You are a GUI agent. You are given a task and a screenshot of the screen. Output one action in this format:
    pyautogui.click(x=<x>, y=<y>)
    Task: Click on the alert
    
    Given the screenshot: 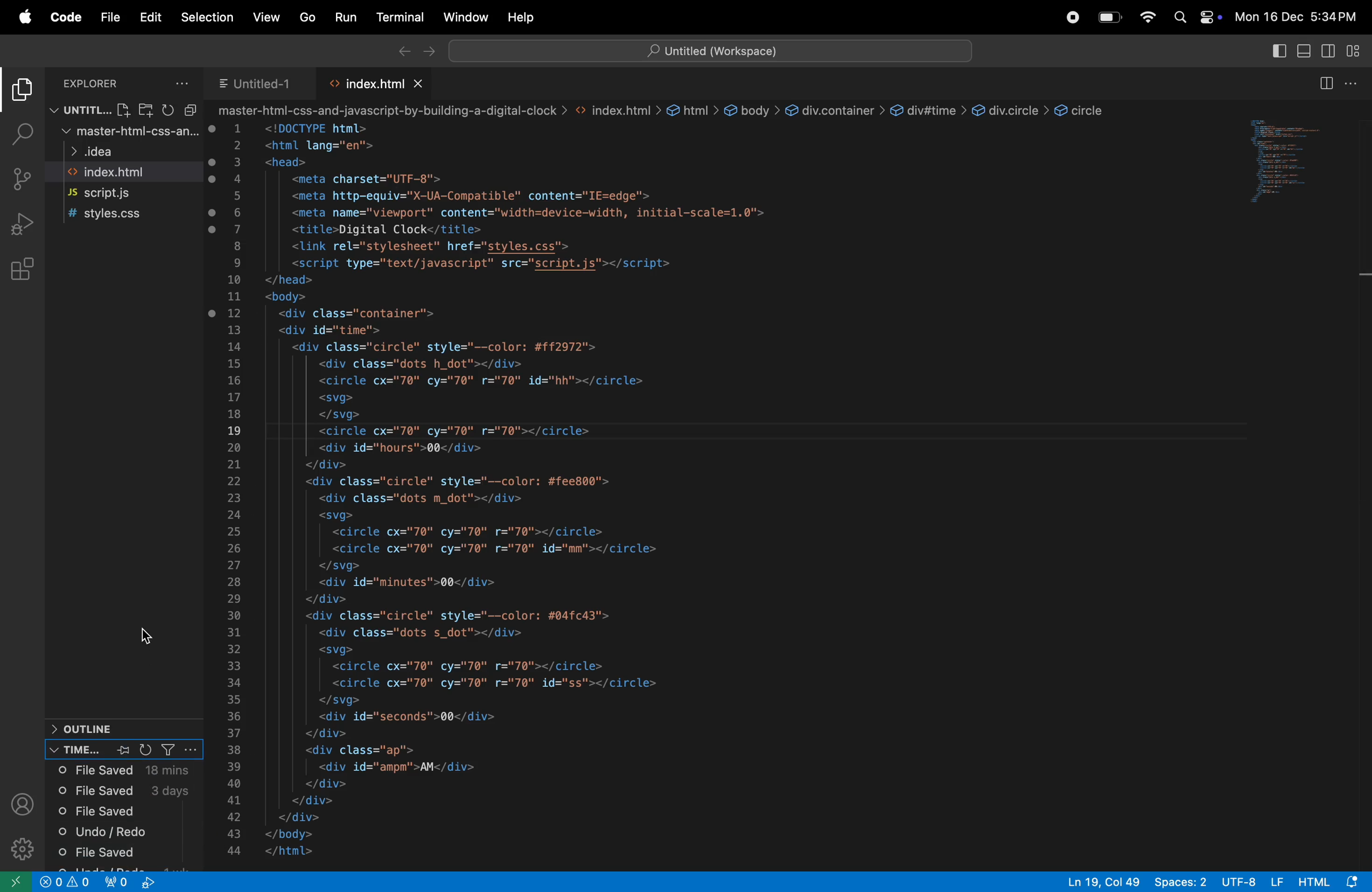 What is the action you would take?
    pyautogui.click(x=65, y=881)
    